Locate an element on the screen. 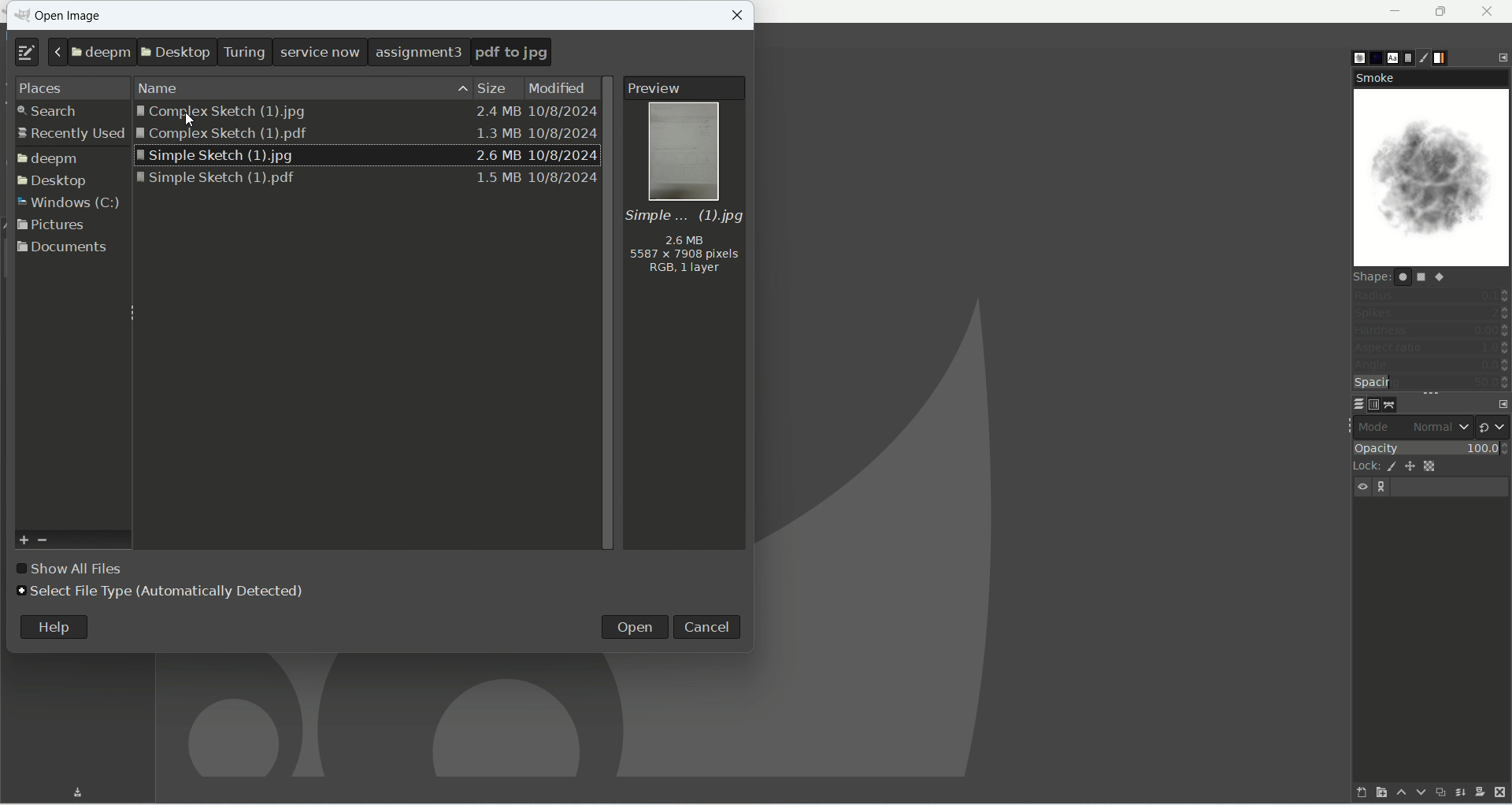  open is located at coordinates (637, 627).